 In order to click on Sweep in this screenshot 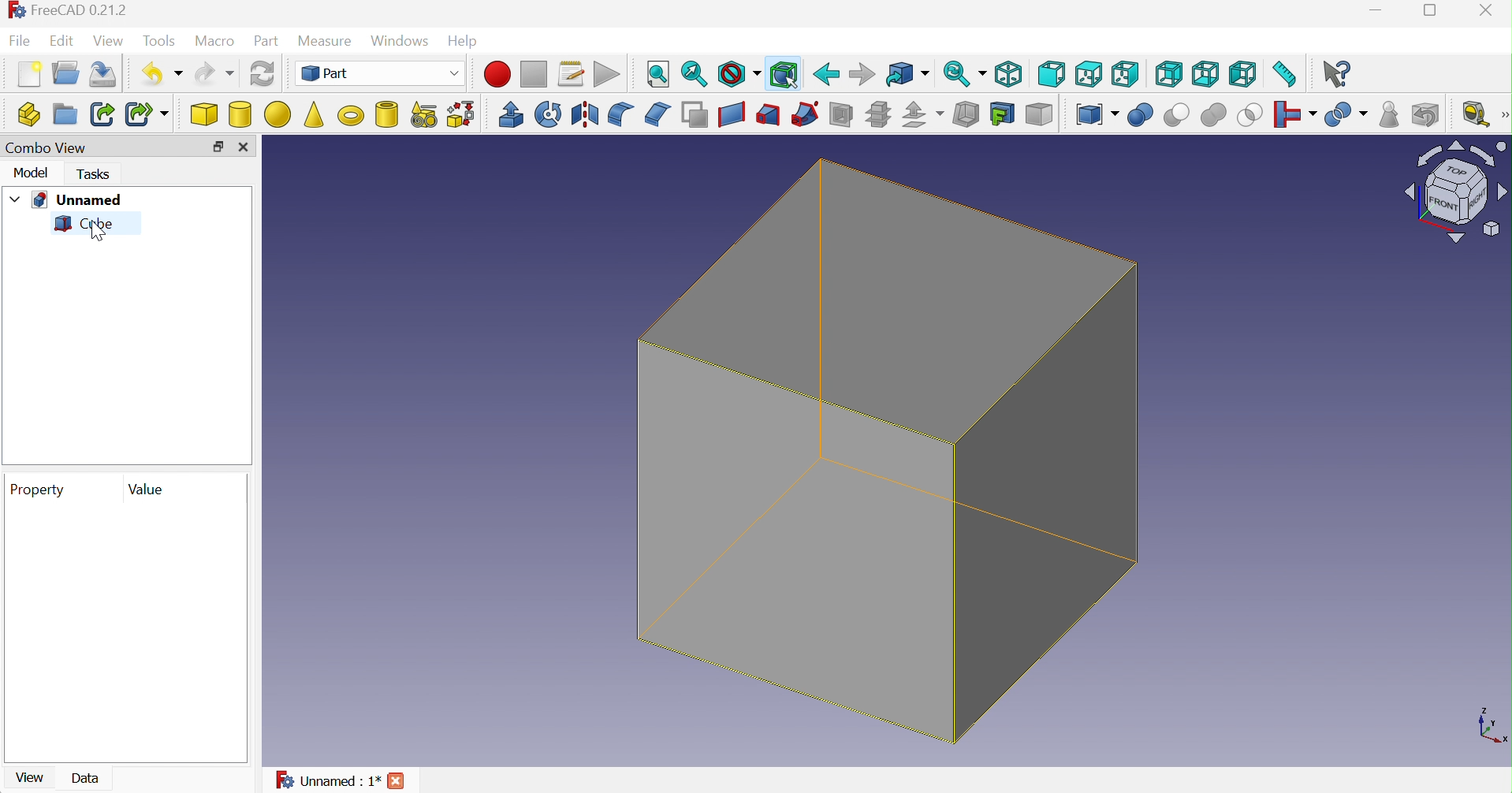, I will do `click(802, 114)`.